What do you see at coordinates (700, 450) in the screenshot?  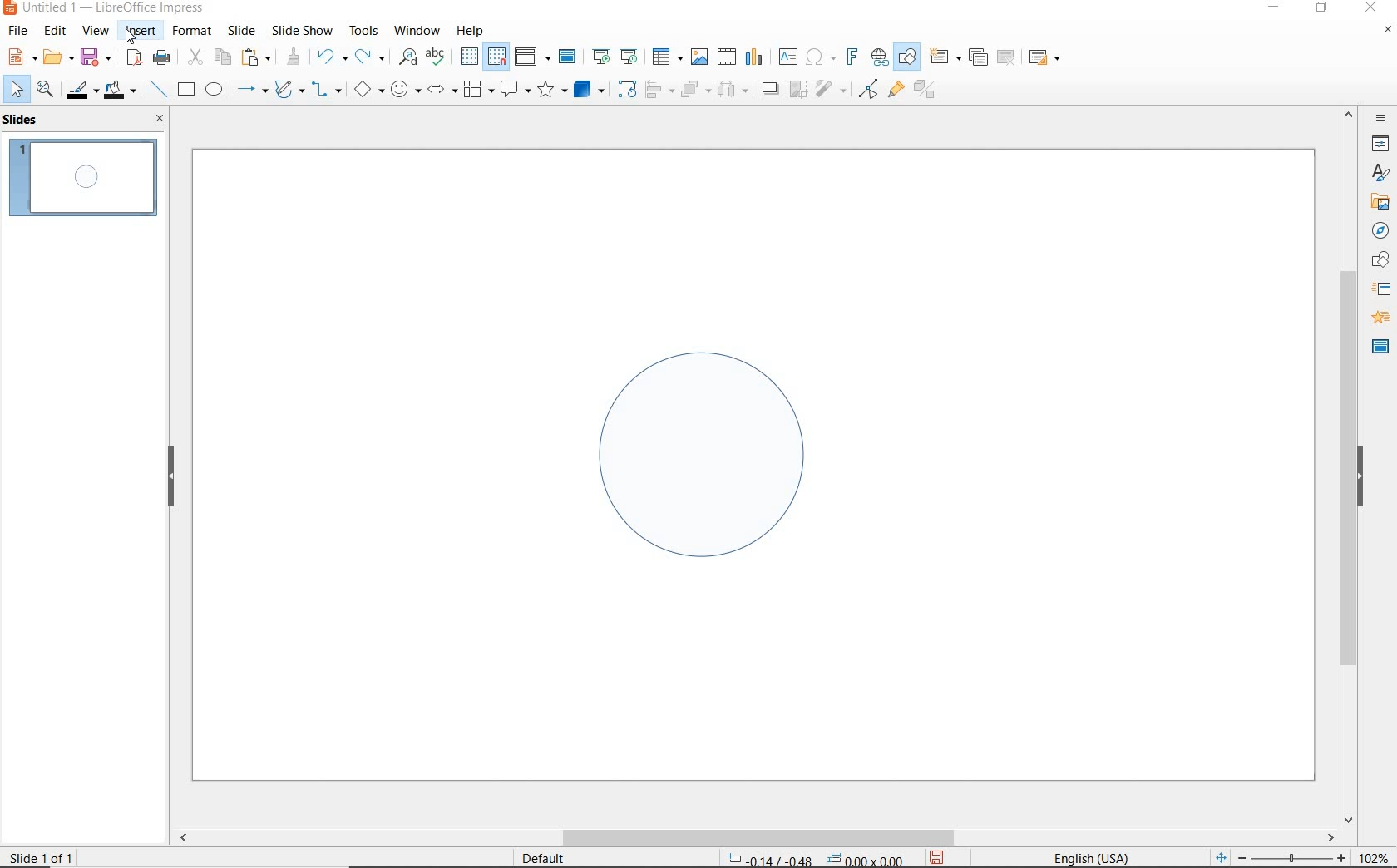 I see `circular shape` at bounding box center [700, 450].